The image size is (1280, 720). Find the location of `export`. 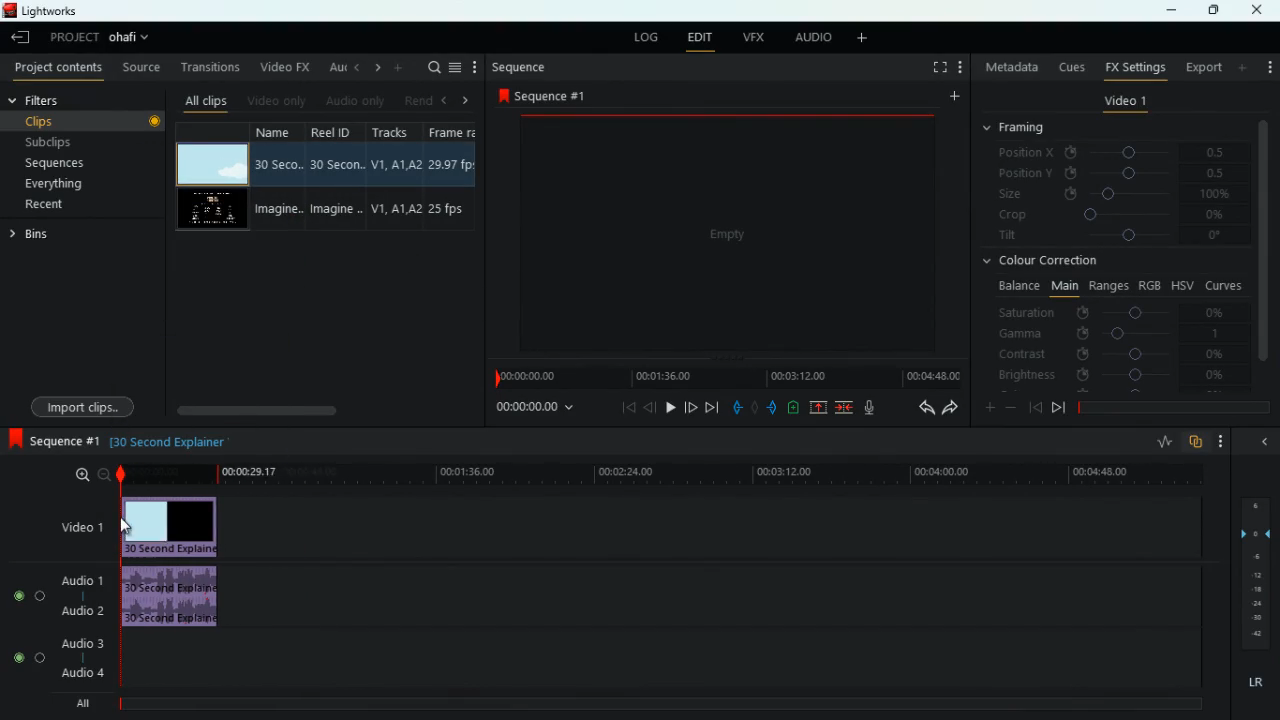

export is located at coordinates (1202, 67).